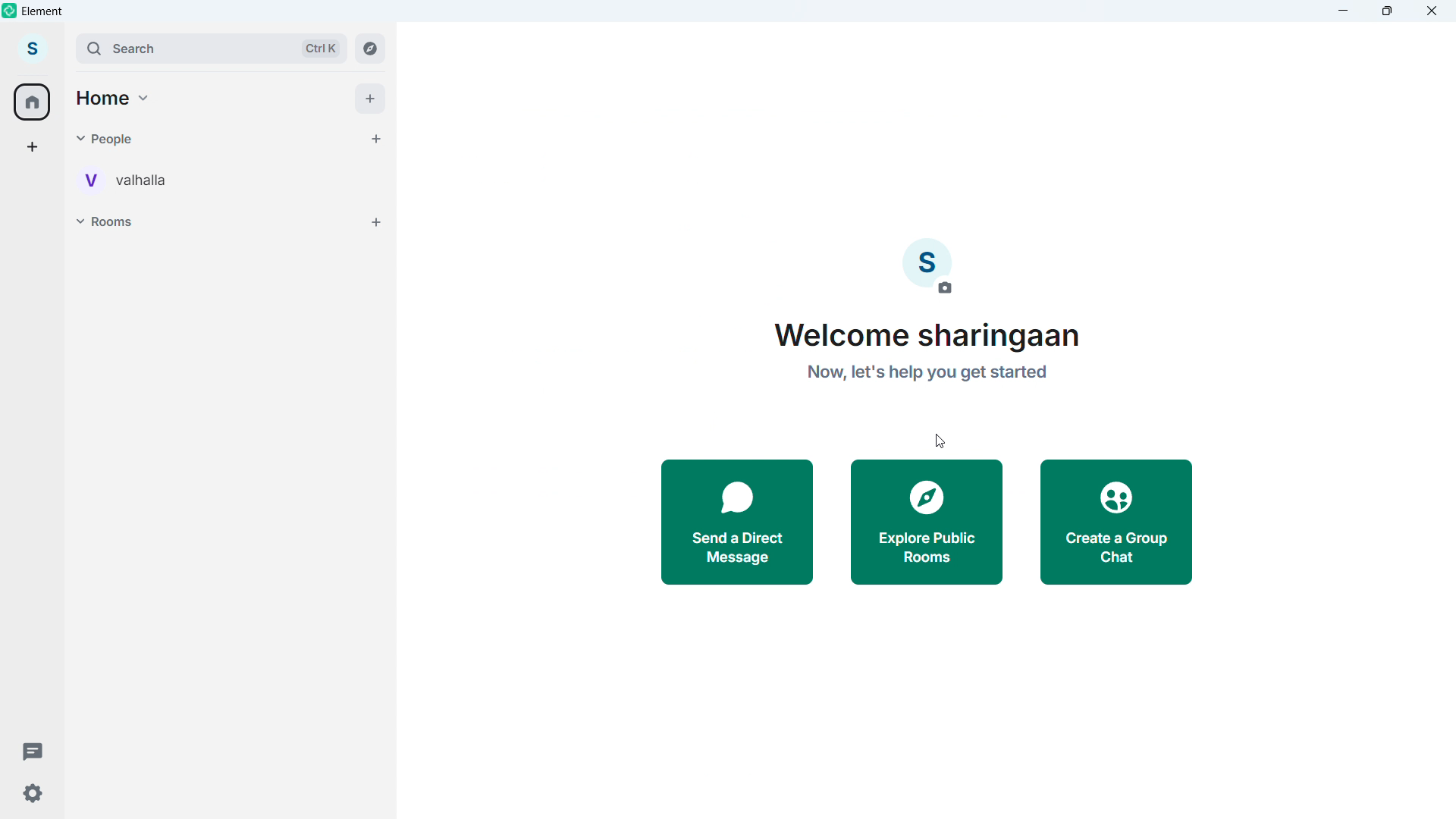 The width and height of the screenshot is (1456, 819). Describe the element at coordinates (927, 378) in the screenshot. I see `now, let's help you get started` at that location.